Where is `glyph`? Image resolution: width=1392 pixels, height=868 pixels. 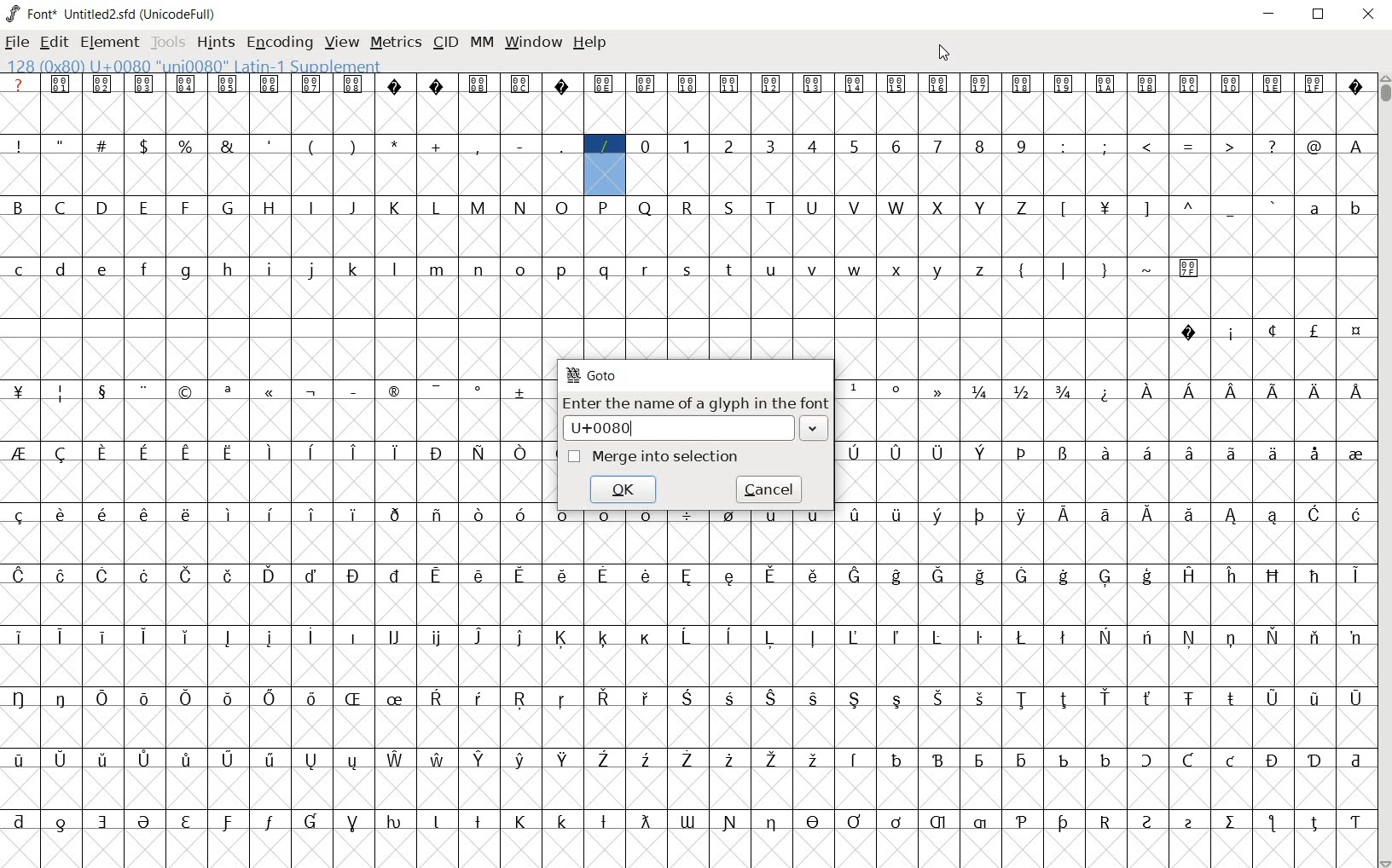
glyph is located at coordinates (521, 575).